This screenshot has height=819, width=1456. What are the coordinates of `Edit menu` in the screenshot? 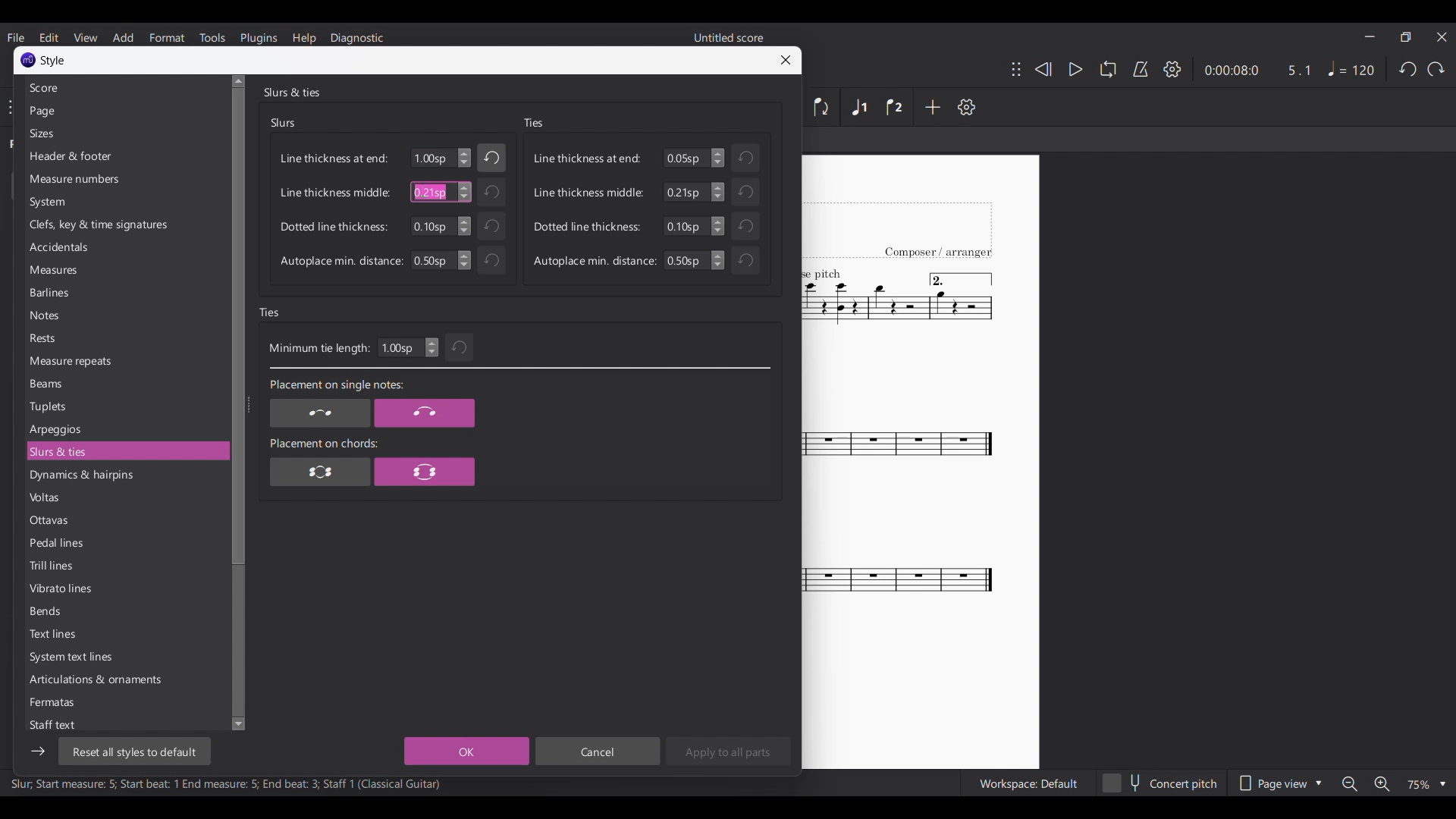 It's located at (49, 37).